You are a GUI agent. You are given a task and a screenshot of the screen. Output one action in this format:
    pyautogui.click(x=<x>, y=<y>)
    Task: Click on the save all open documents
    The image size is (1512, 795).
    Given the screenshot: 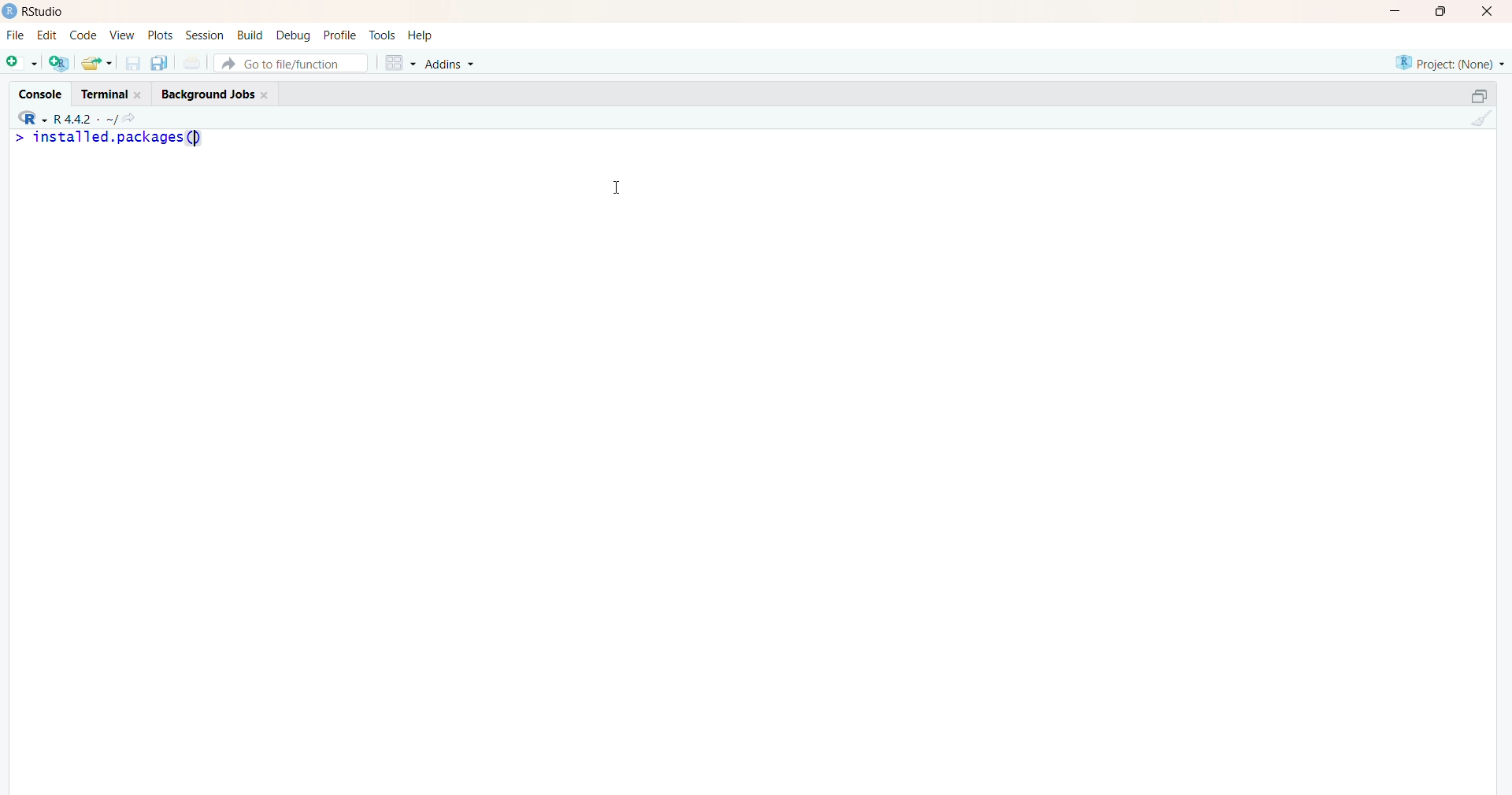 What is the action you would take?
    pyautogui.click(x=159, y=64)
    